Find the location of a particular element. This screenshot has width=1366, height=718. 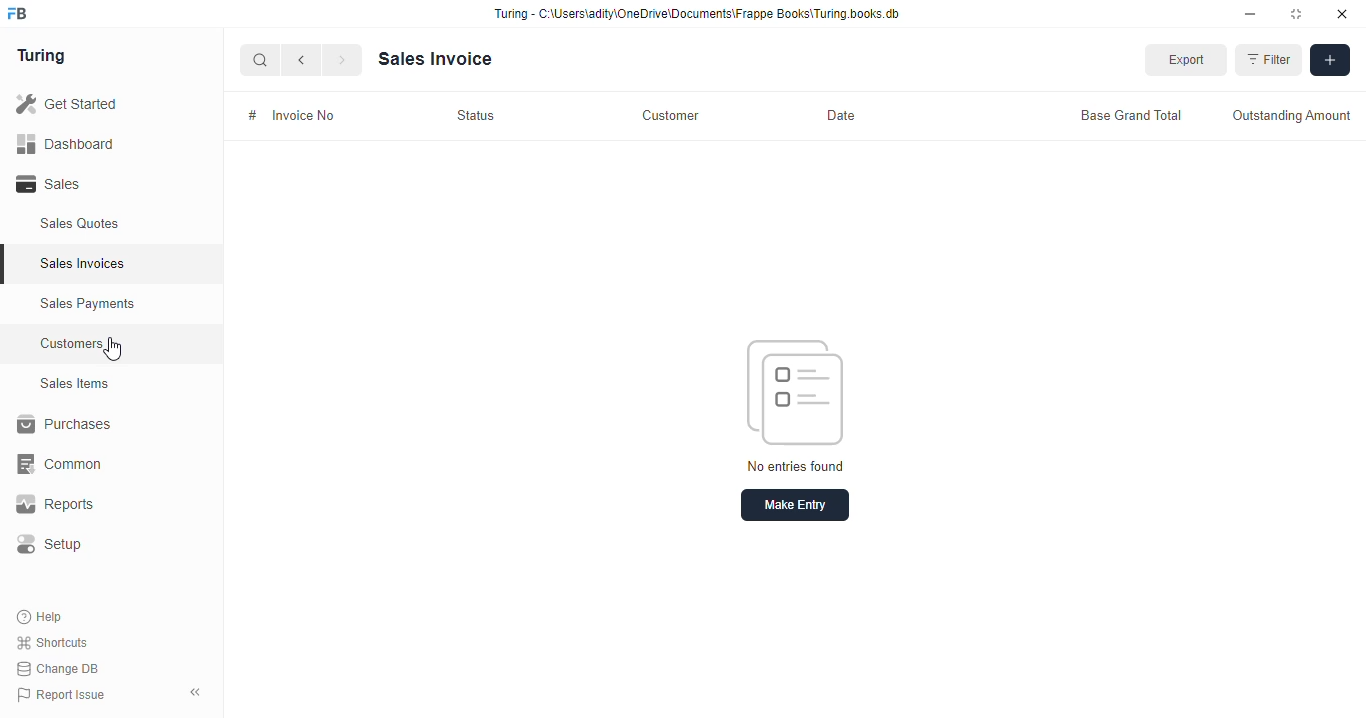

close is located at coordinates (1345, 14).